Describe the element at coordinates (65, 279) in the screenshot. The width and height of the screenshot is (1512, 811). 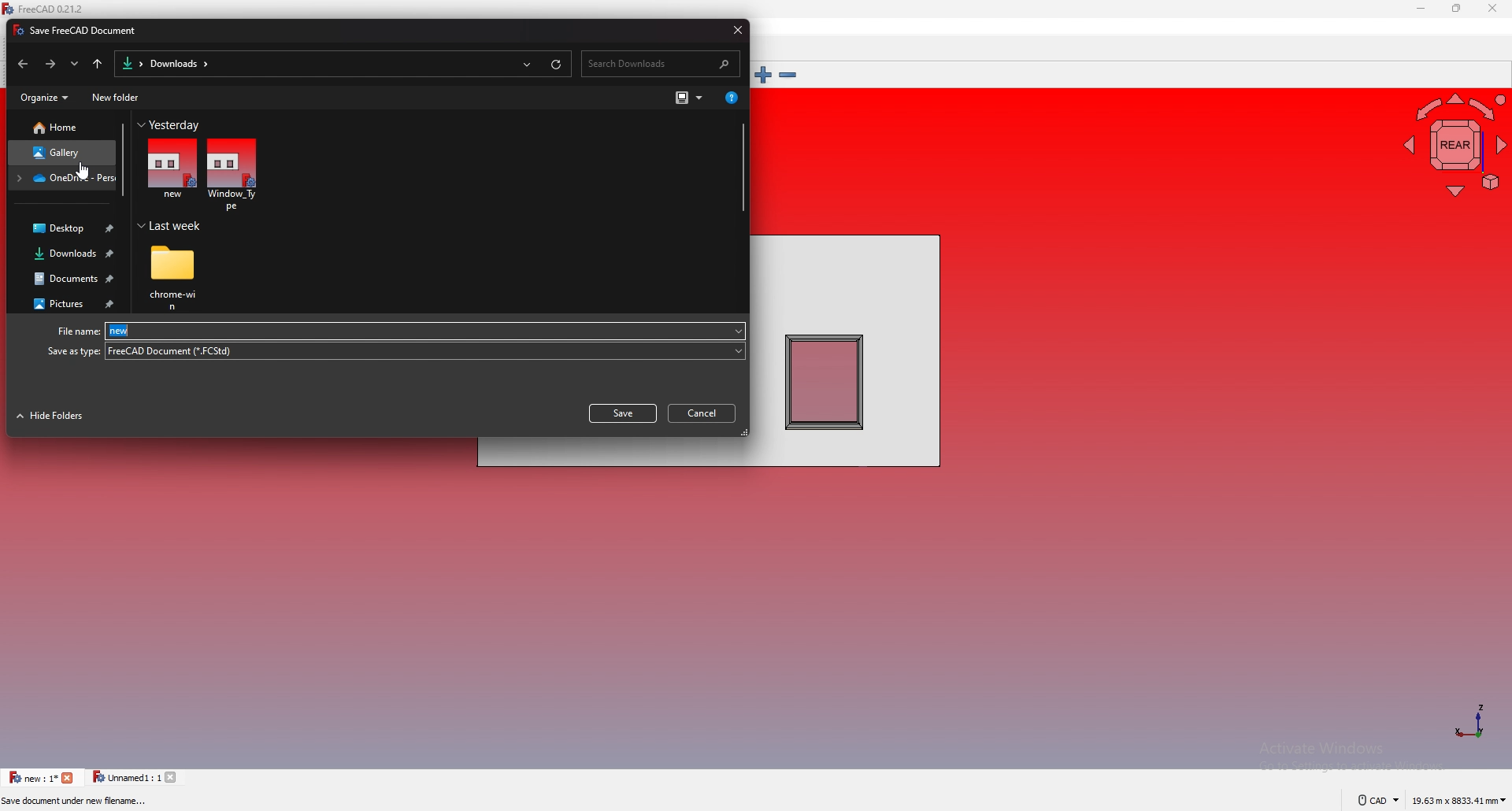
I see `documents` at that location.